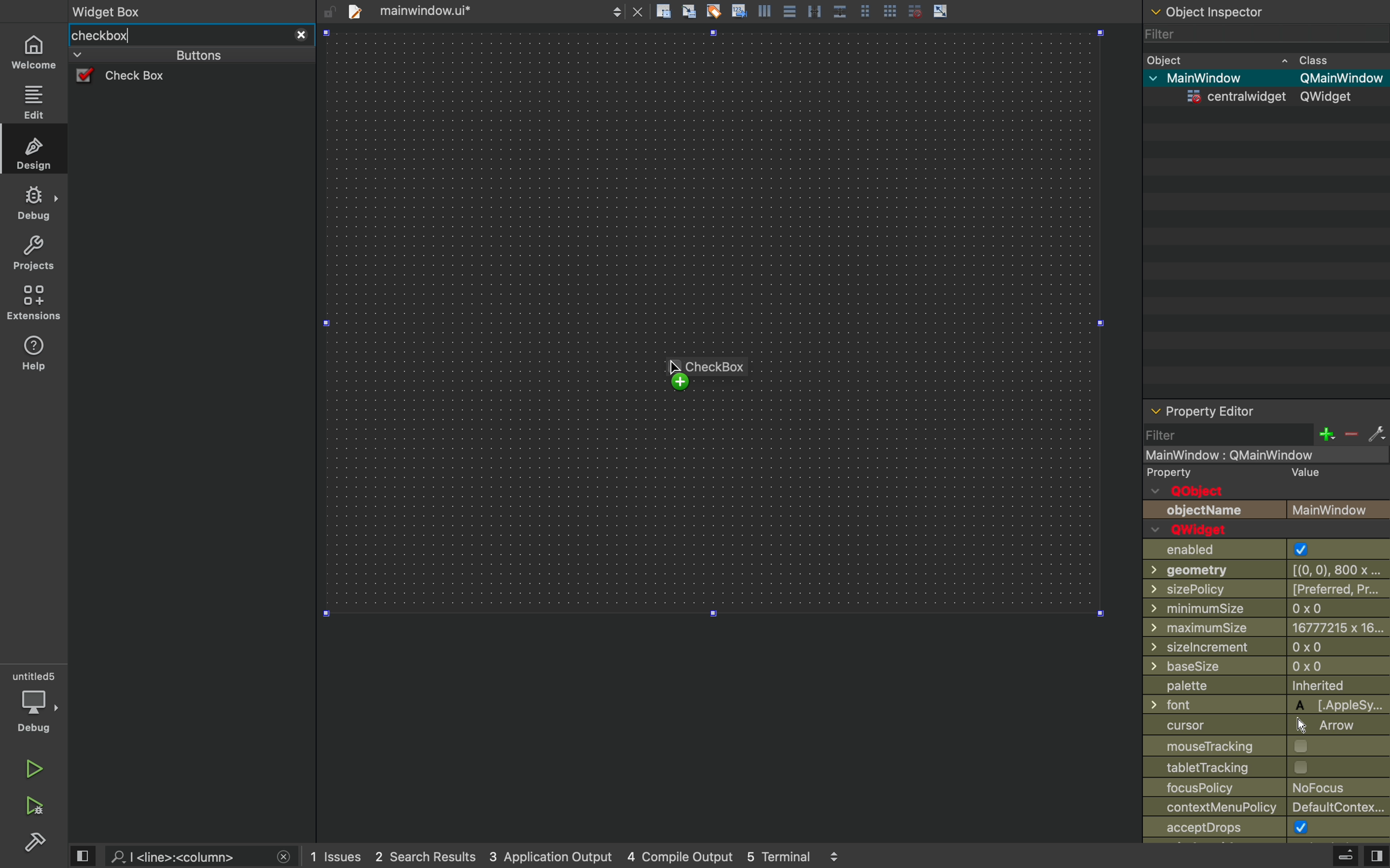  What do you see at coordinates (34, 702) in the screenshot?
I see `debug` at bounding box center [34, 702].